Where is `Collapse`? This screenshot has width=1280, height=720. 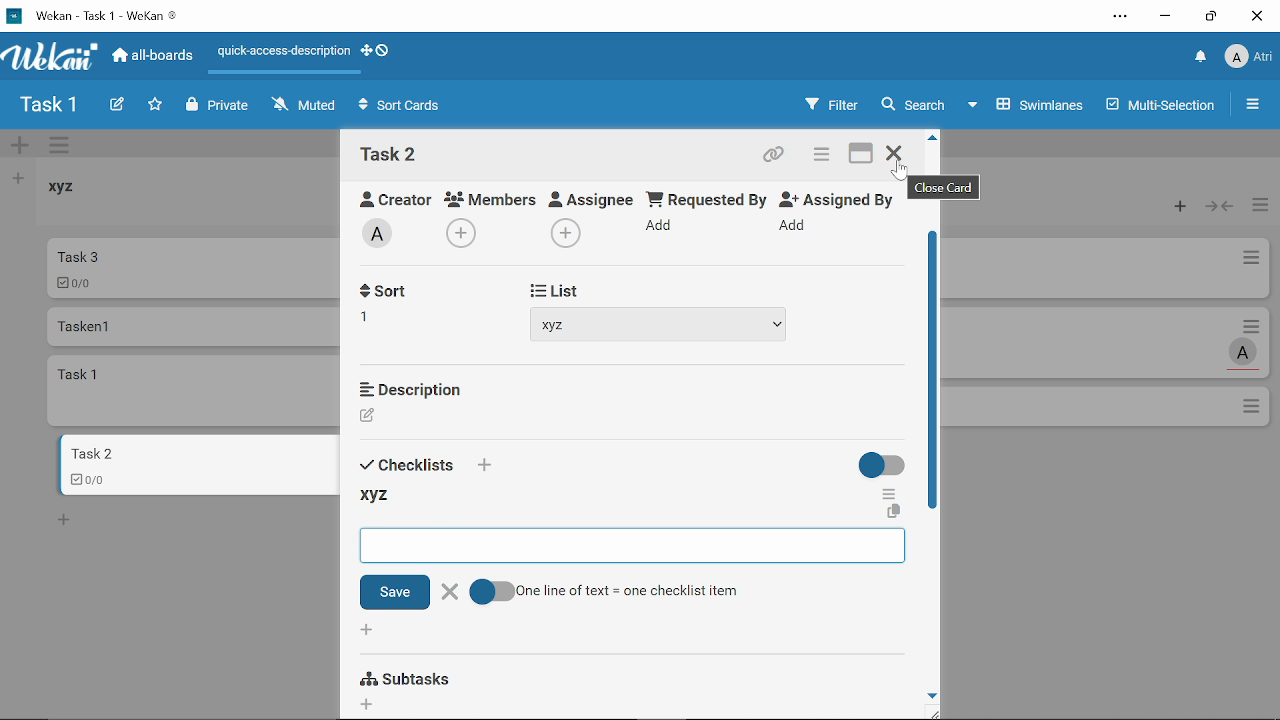 Collapse is located at coordinates (1221, 207).